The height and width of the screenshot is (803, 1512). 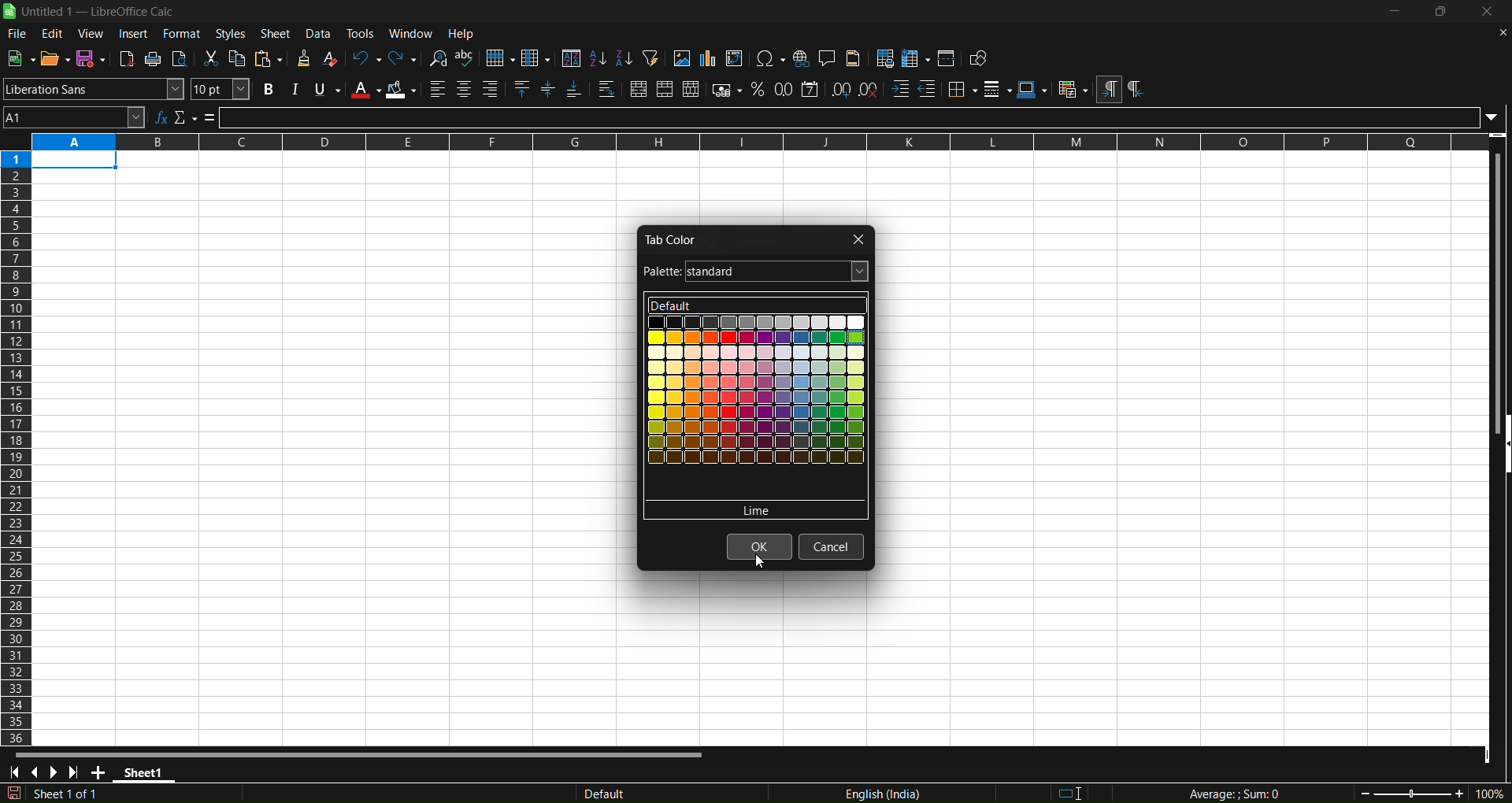 What do you see at coordinates (231, 33) in the screenshot?
I see `styles` at bounding box center [231, 33].